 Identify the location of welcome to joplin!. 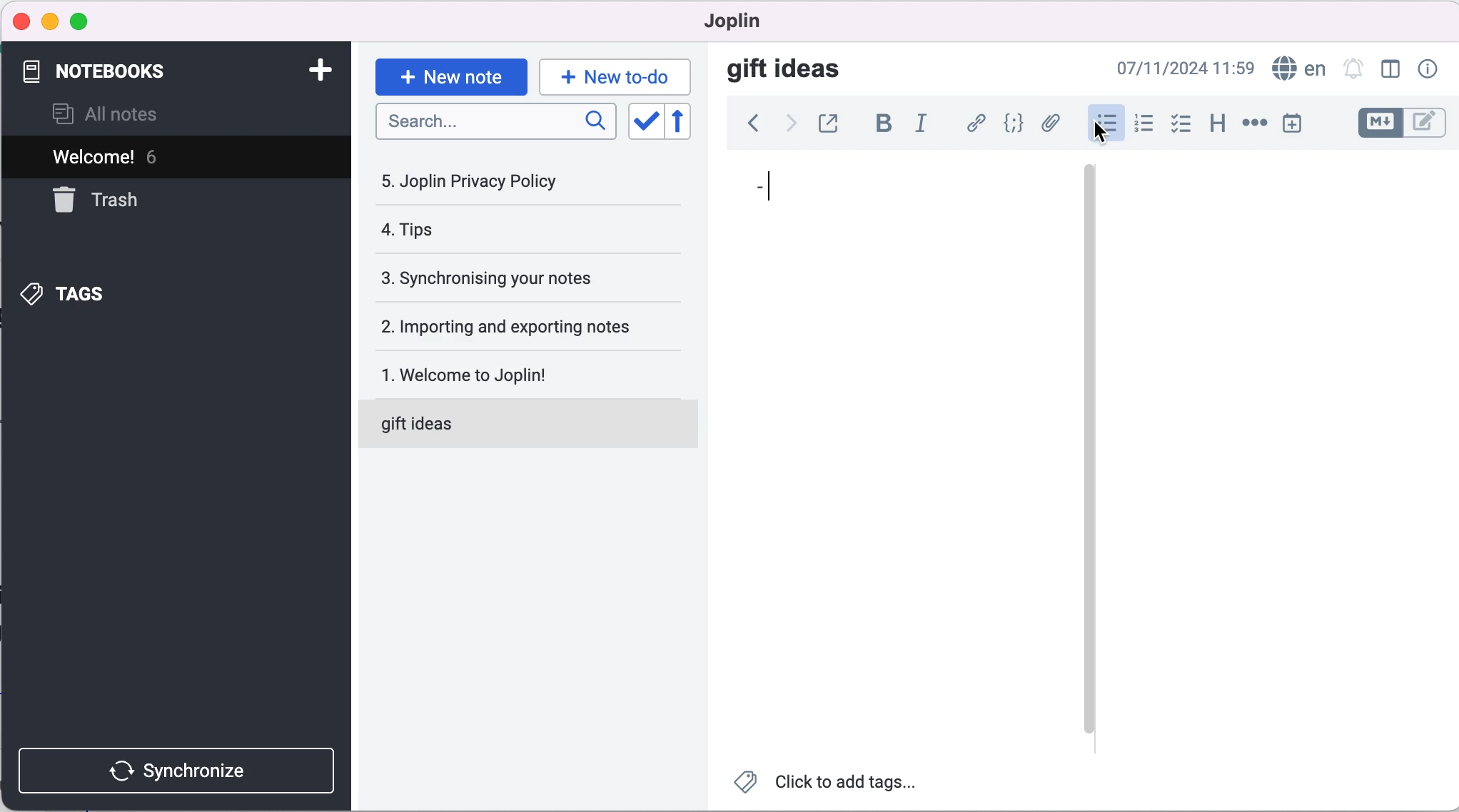
(519, 374).